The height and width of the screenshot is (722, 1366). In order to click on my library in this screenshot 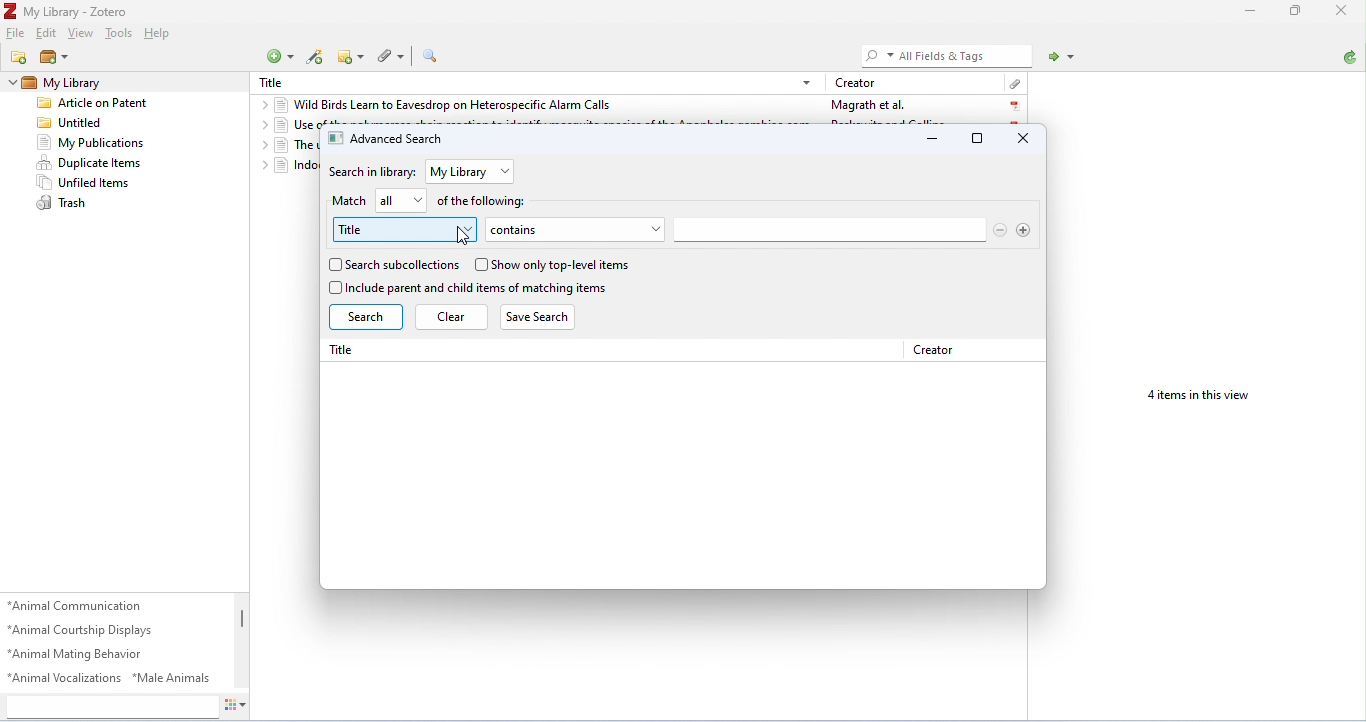, I will do `click(460, 172)`.